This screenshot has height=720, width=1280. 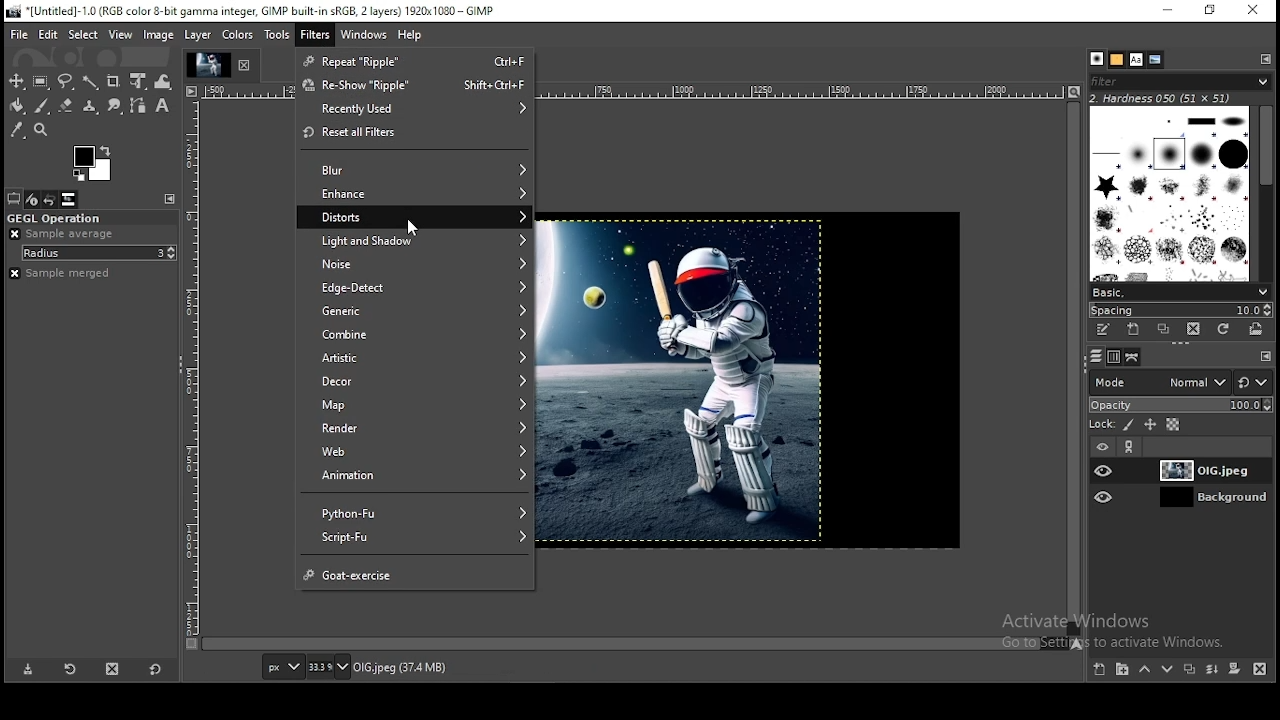 I want to click on restore, so click(x=1215, y=11).